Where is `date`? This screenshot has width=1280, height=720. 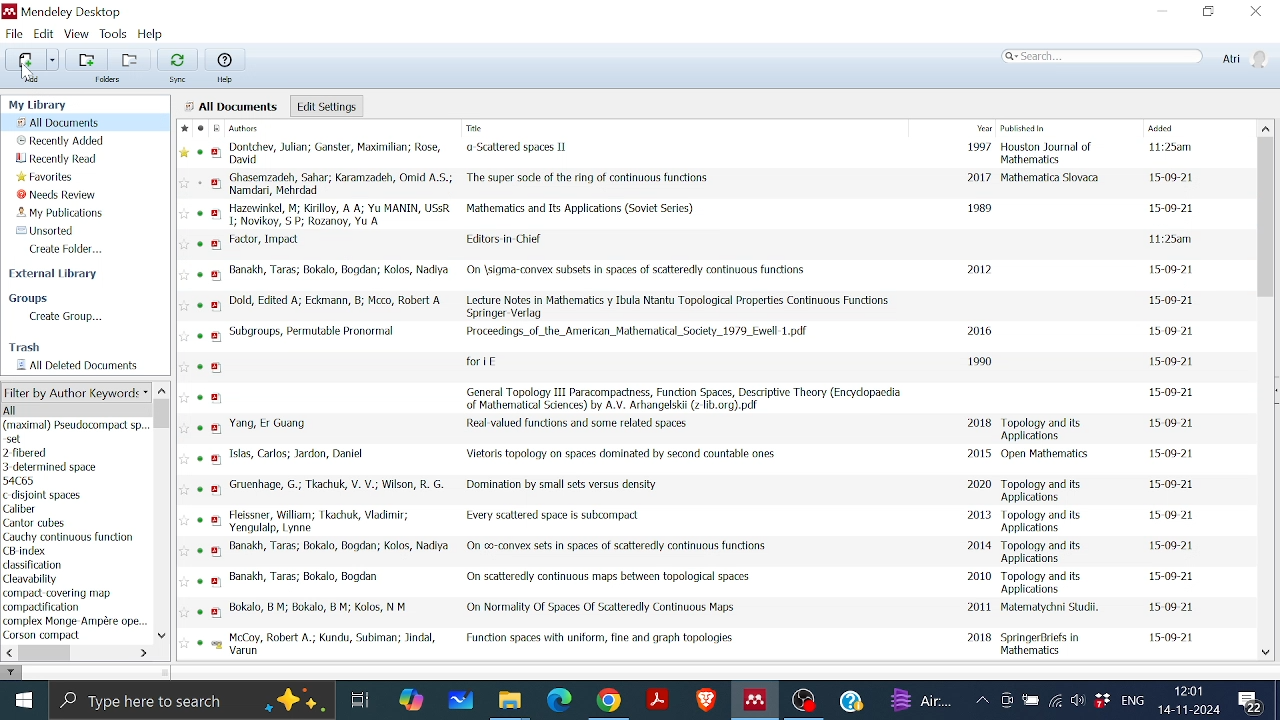
date is located at coordinates (1168, 269).